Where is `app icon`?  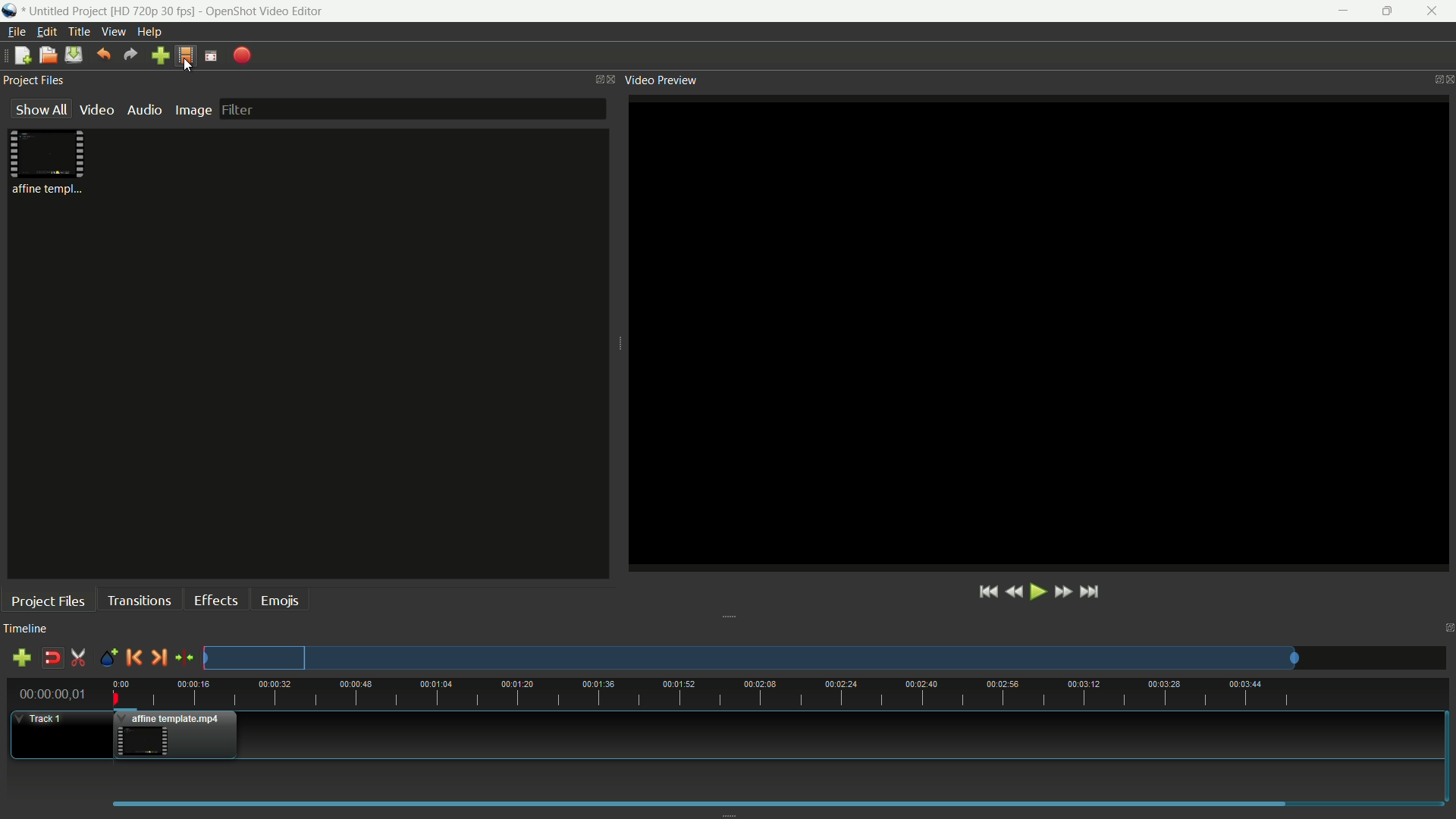
app icon is located at coordinates (10, 11).